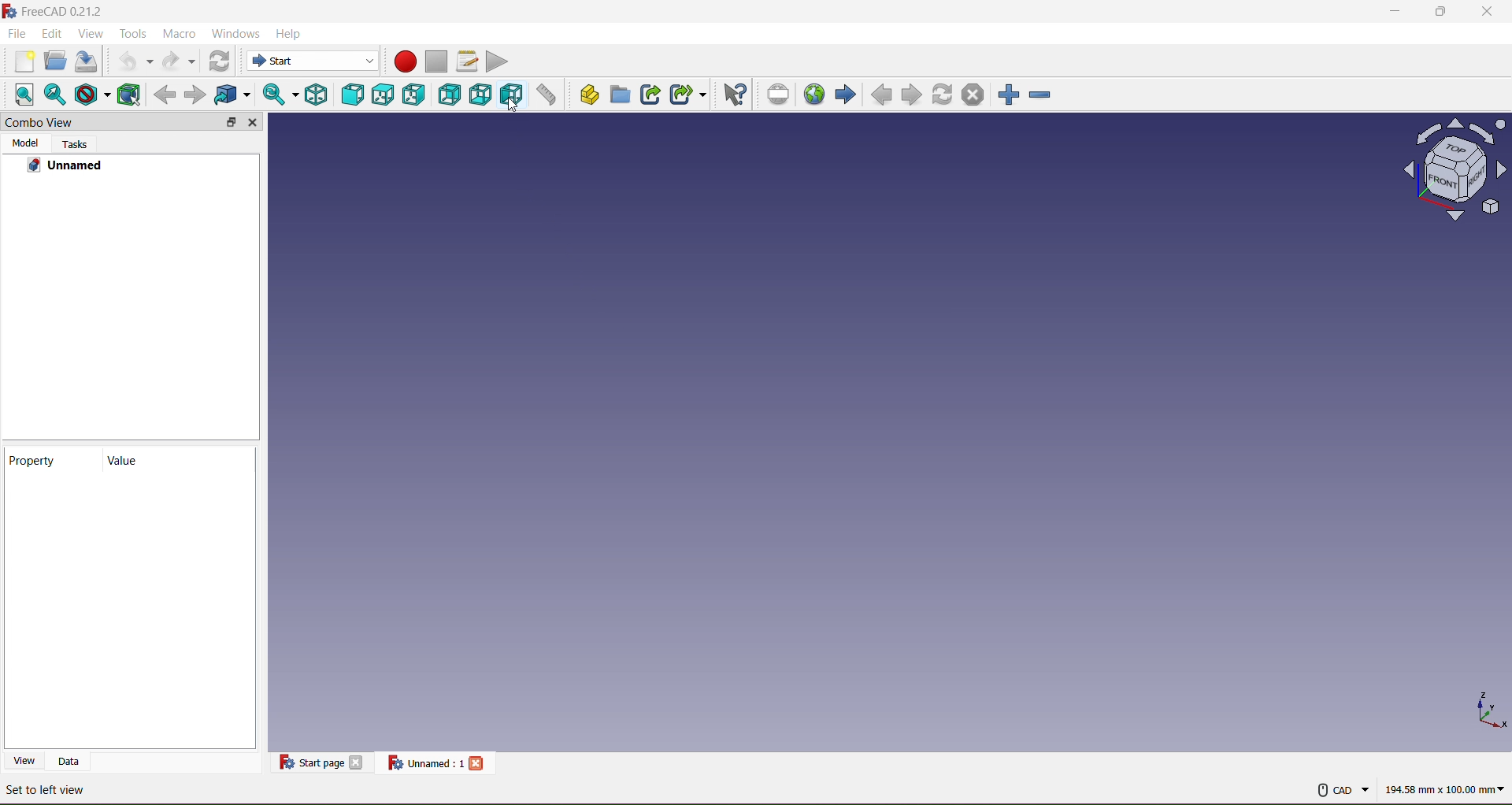 Image resolution: width=1512 pixels, height=805 pixels. I want to click on Stop Macro, so click(436, 61).